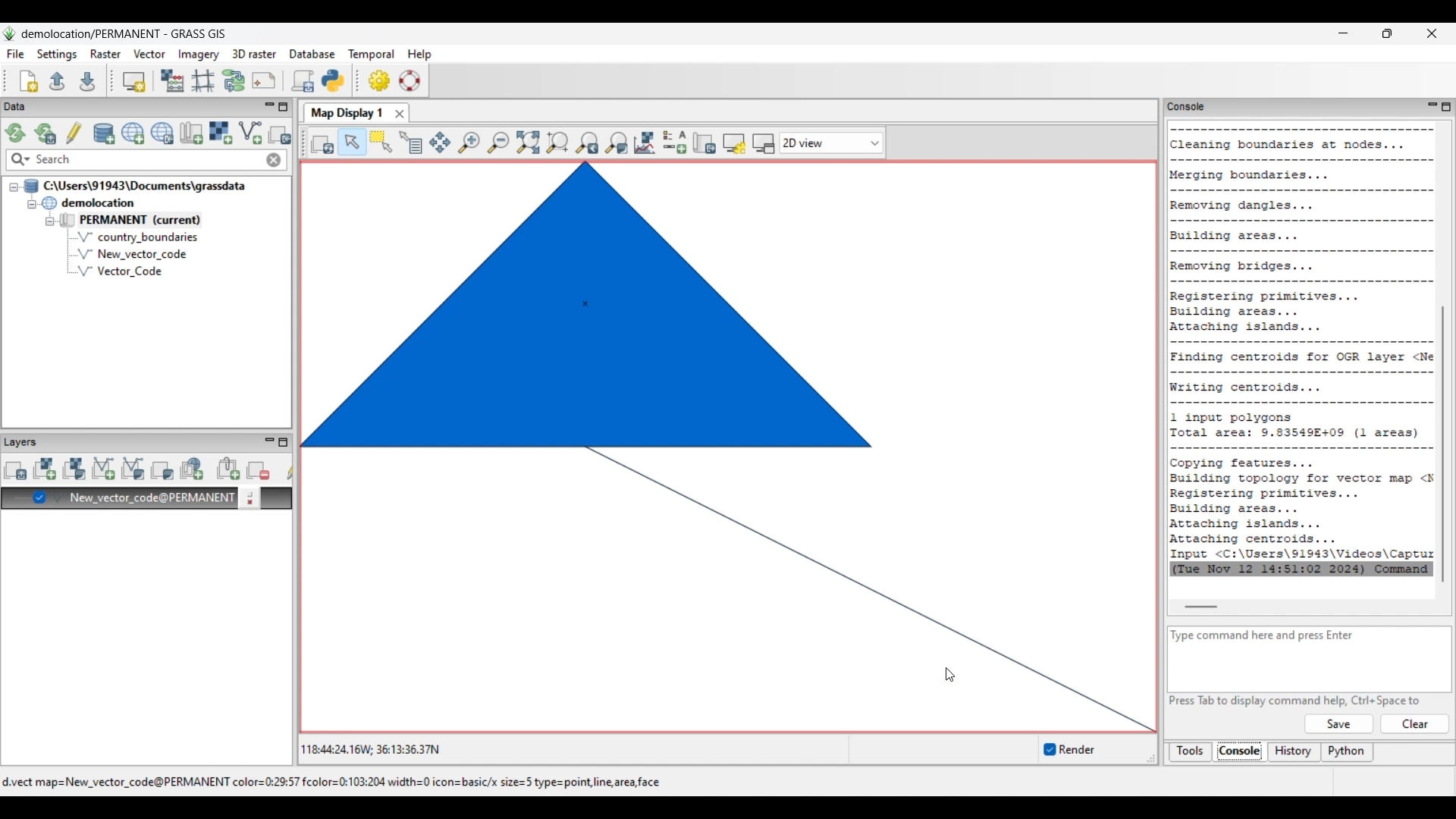 This screenshot has height=819, width=1456. What do you see at coordinates (199, 55) in the screenshot?
I see `Imagery menu` at bounding box center [199, 55].